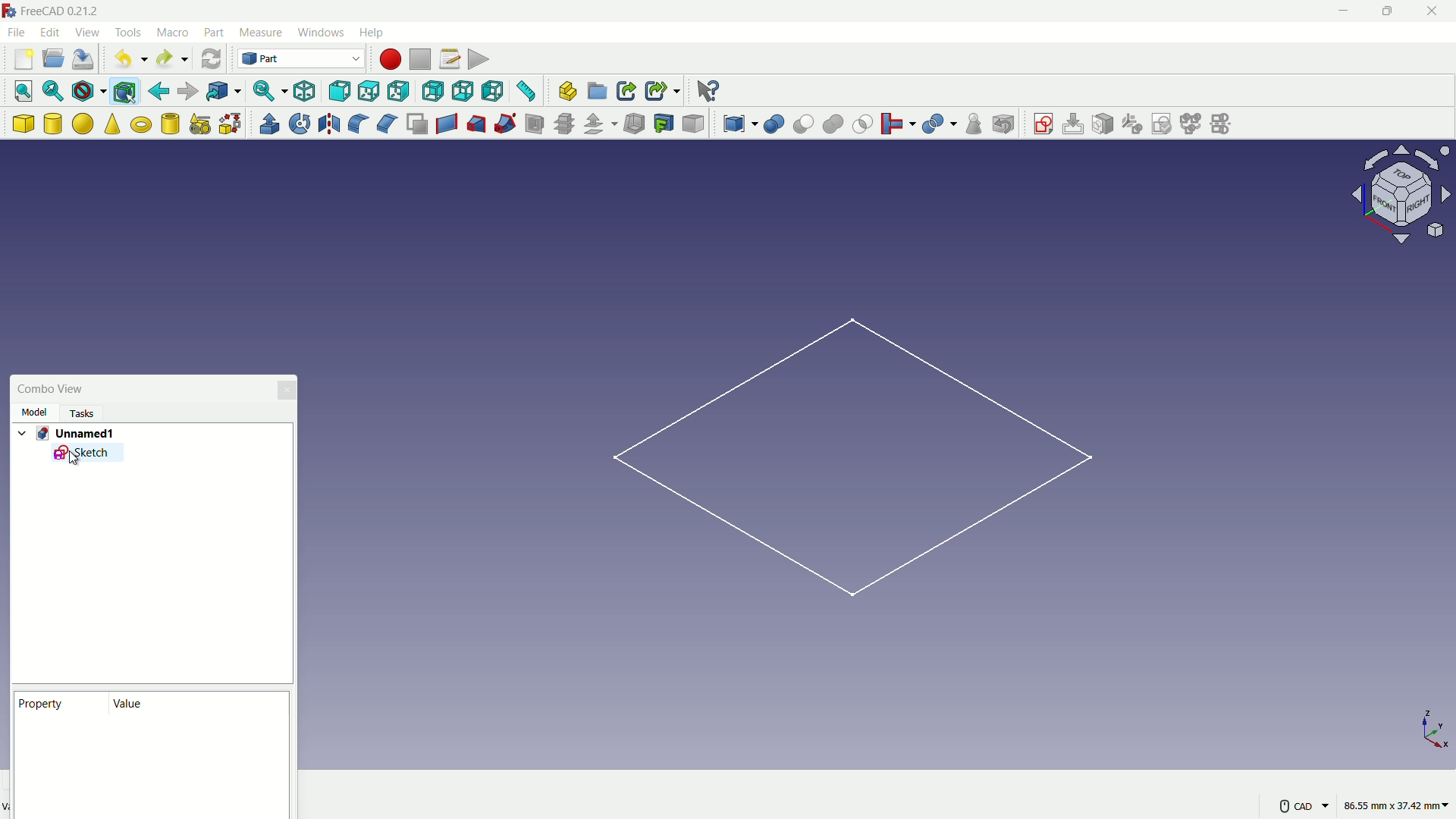 Image resolution: width=1456 pixels, height=819 pixels. I want to click on measure, so click(528, 91).